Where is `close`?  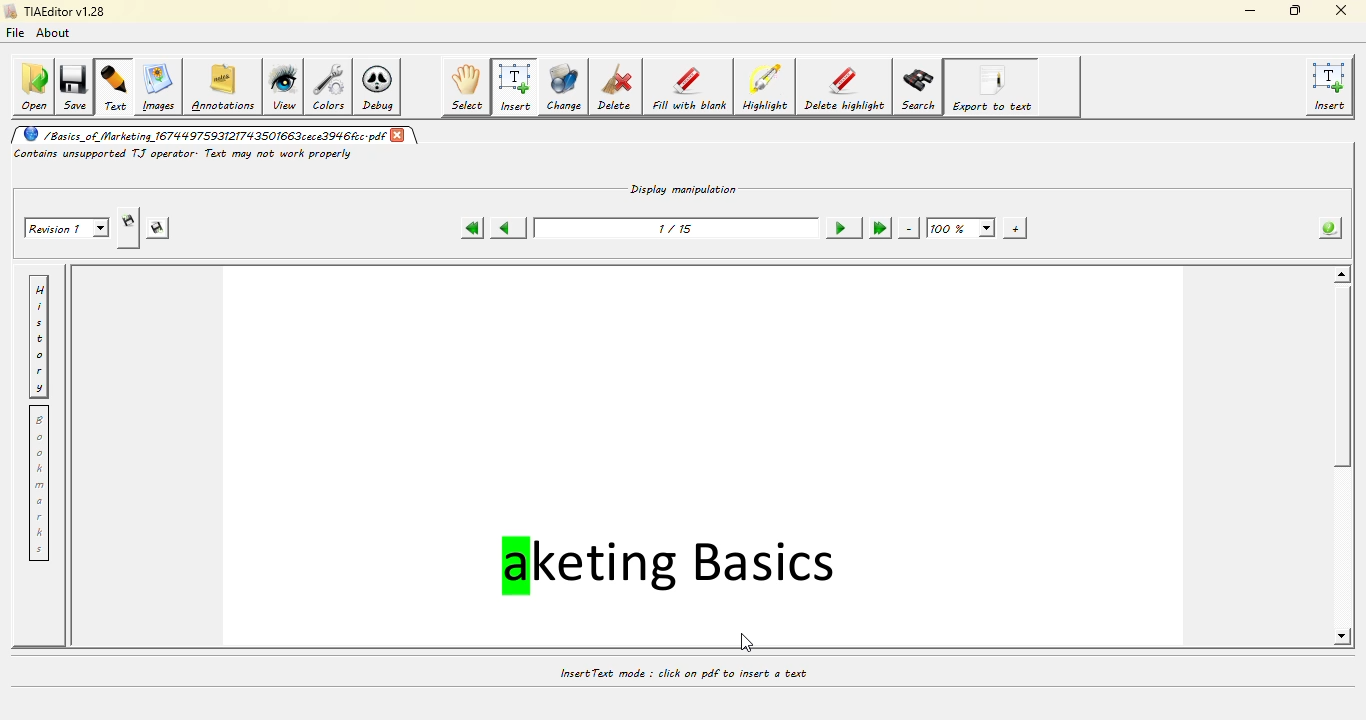
close is located at coordinates (401, 136).